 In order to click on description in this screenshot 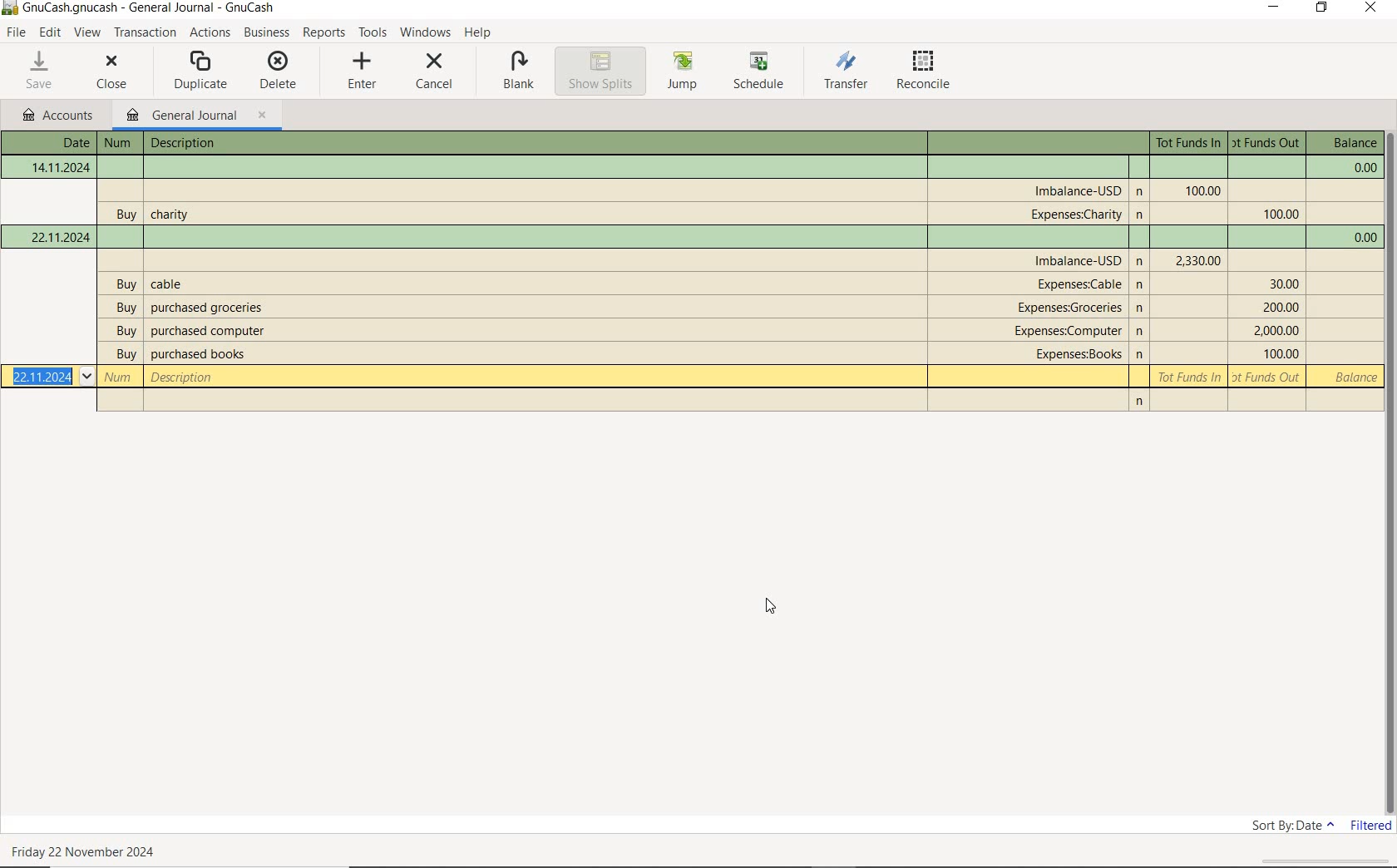, I will do `click(184, 377)`.